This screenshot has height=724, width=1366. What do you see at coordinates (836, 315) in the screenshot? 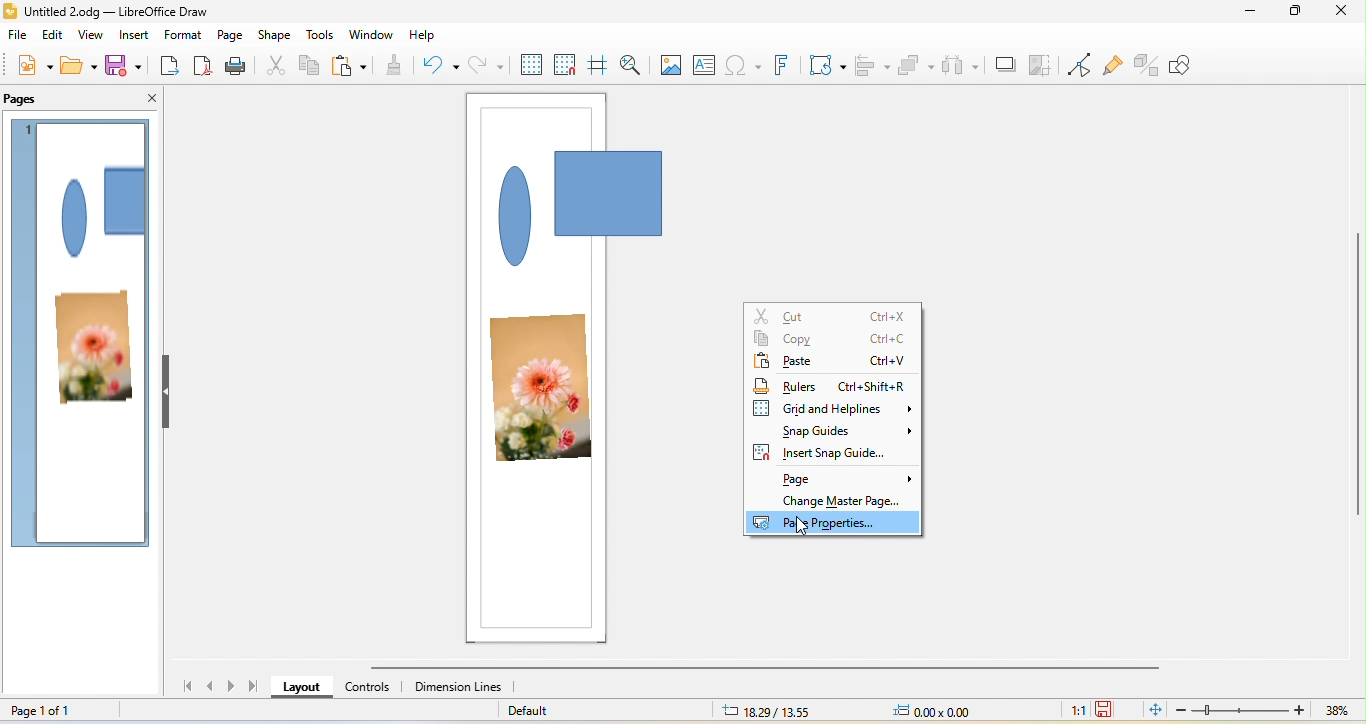
I see `cut` at bounding box center [836, 315].